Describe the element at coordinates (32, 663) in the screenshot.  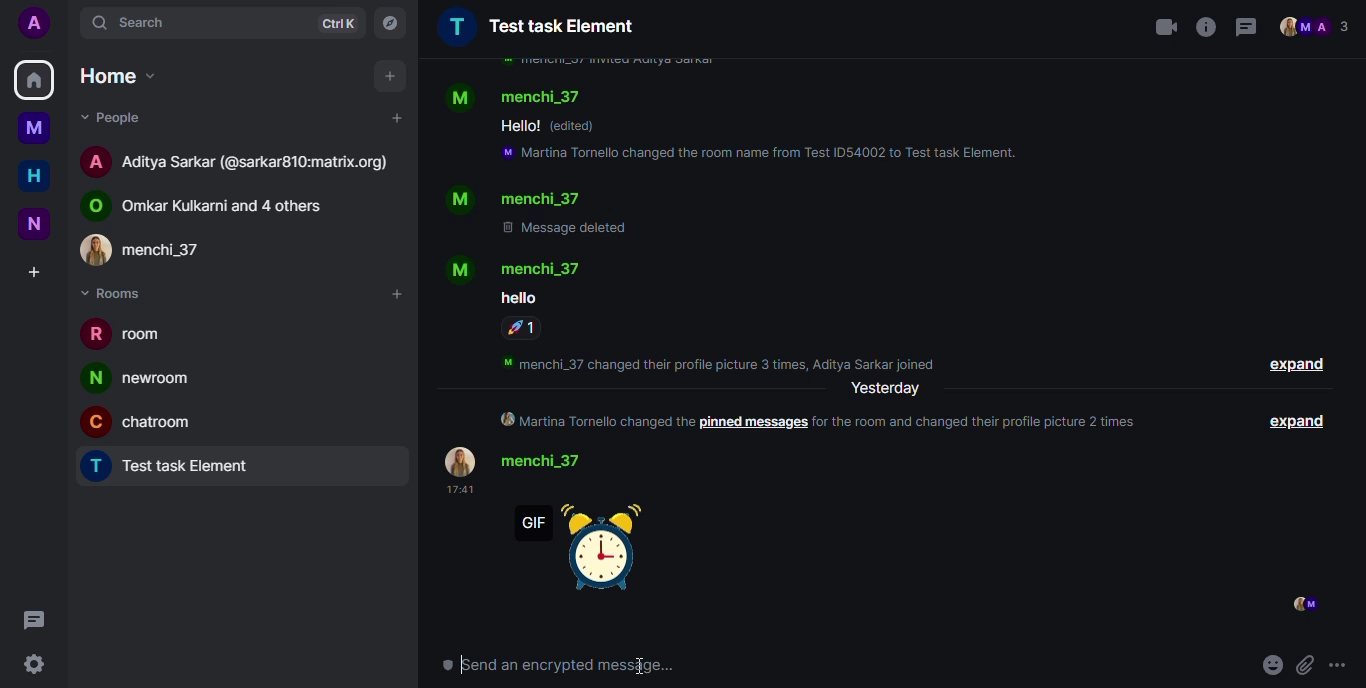
I see `quick settings` at that location.